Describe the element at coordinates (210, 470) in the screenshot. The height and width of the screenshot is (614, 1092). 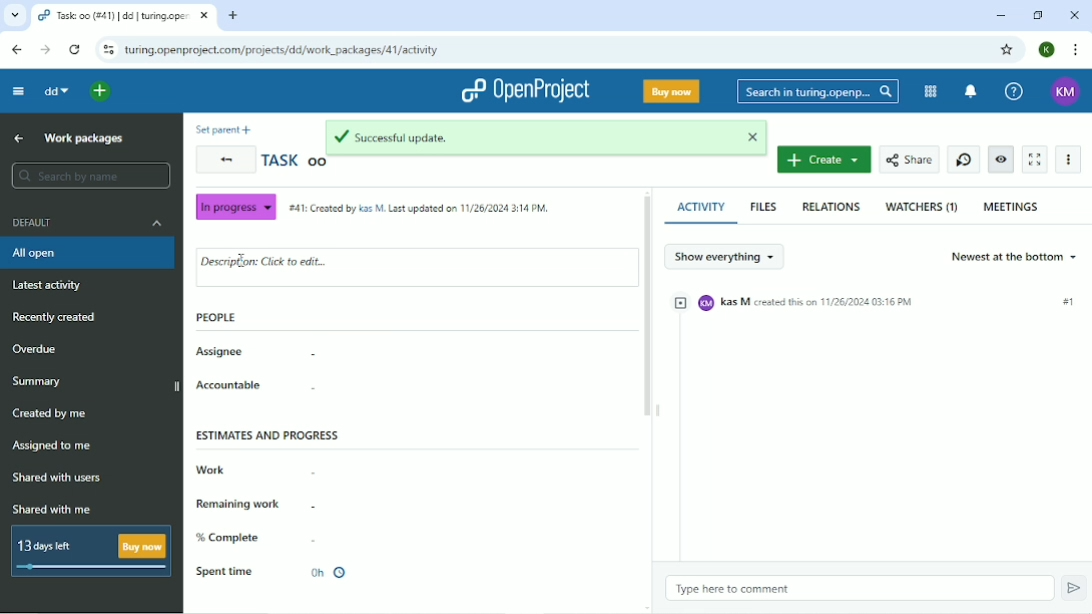
I see `Work` at that location.